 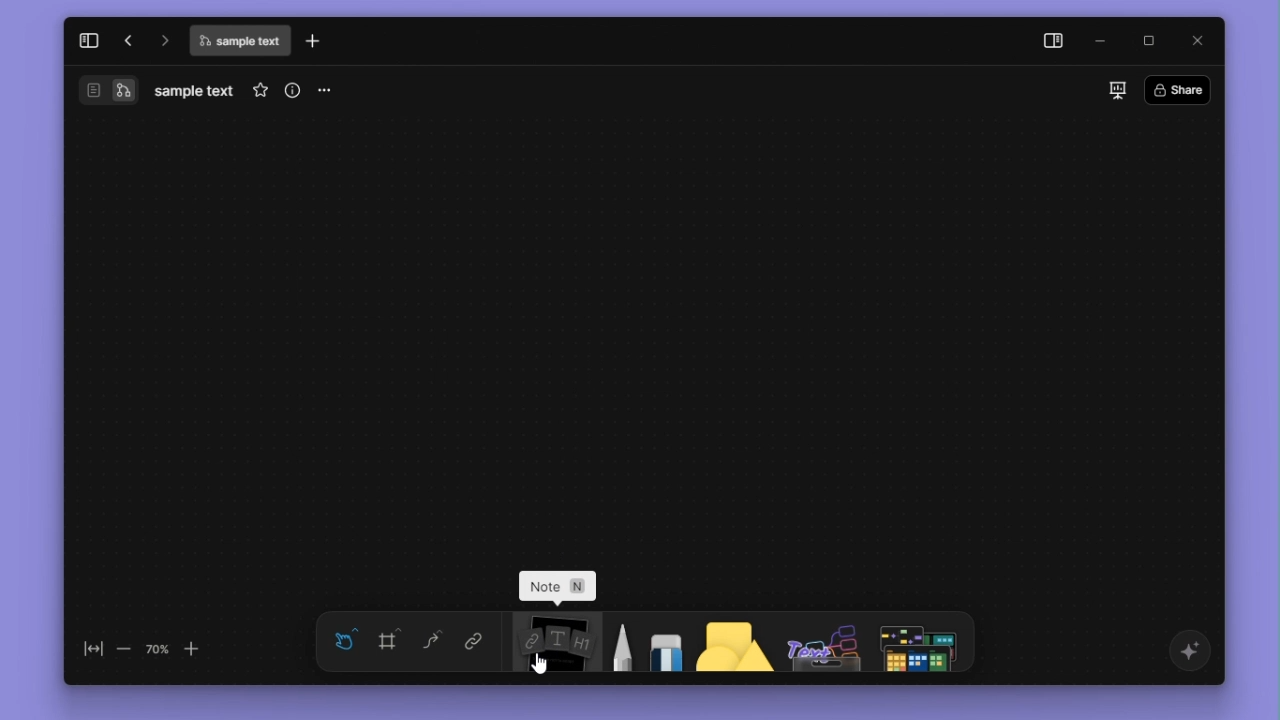 I want to click on maximize, so click(x=1151, y=39).